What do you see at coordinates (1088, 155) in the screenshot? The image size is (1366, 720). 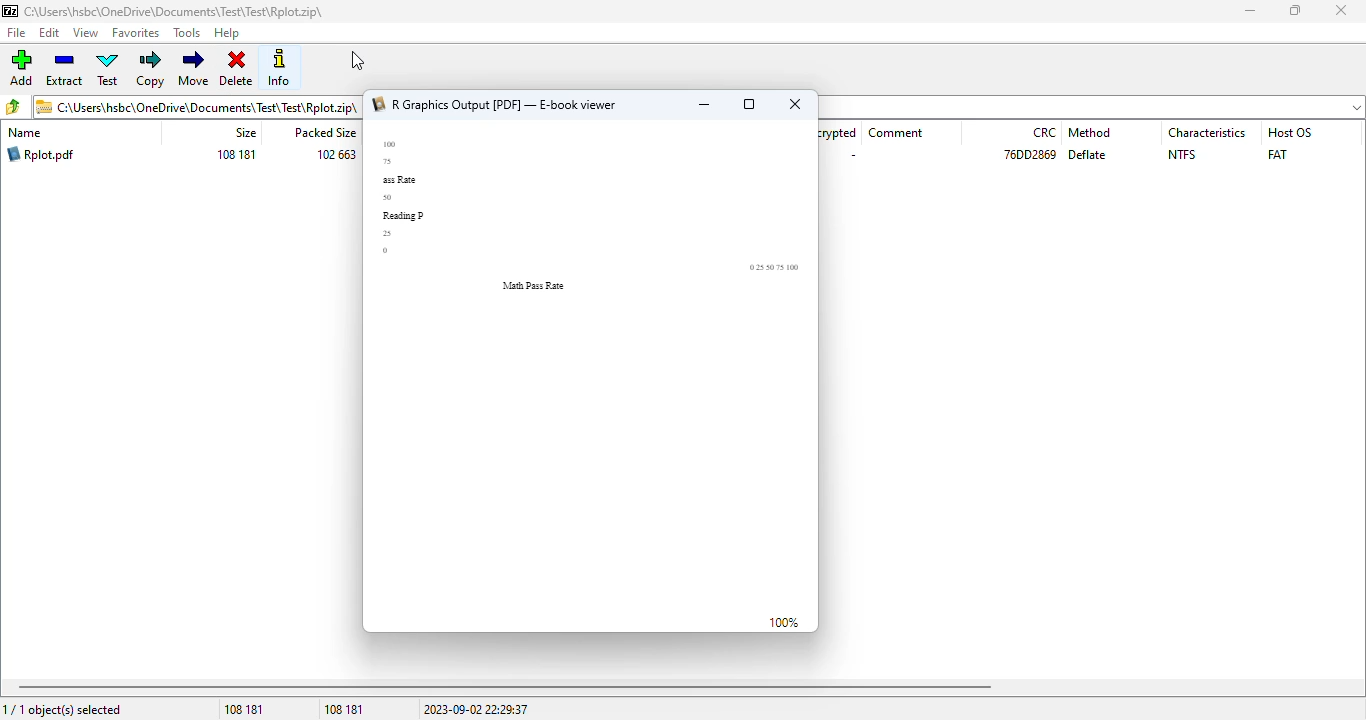 I see `deflate` at bounding box center [1088, 155].